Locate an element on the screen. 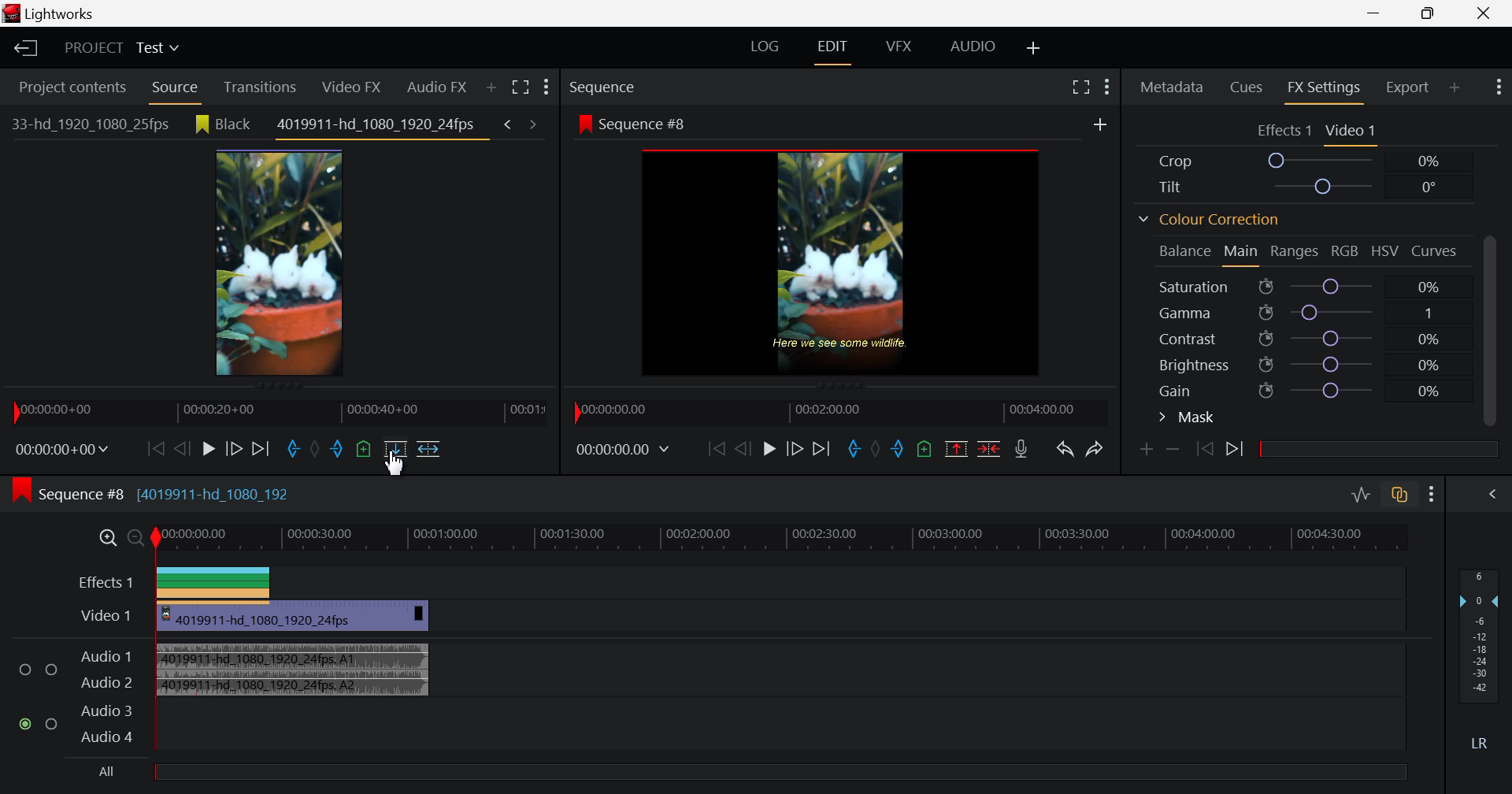 The width and height of the screenshot is (1512, 794). Remove all marks is located at coordinates (875, 451).